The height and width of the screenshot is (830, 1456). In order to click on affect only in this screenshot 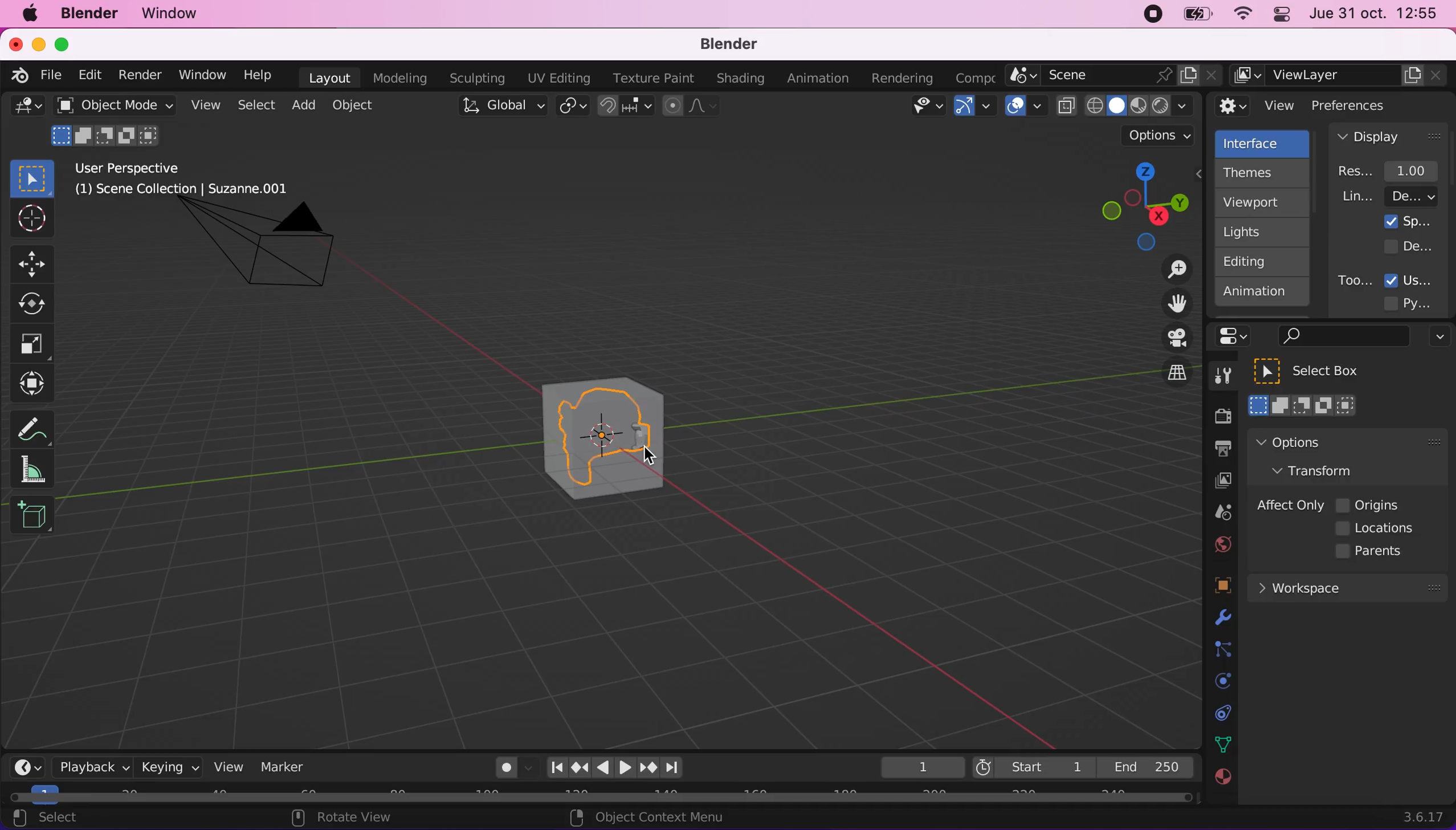, I will do `click(1288, 505)`.